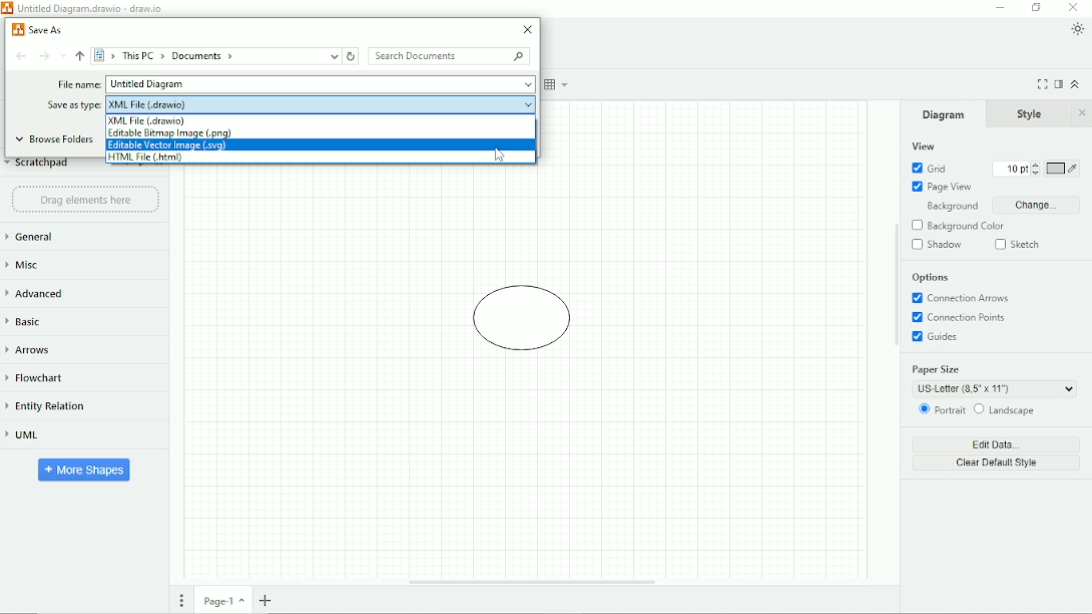  Describe the element at coordinates (53, 140) in the screenshot. I see `Browse Folders` at that location.